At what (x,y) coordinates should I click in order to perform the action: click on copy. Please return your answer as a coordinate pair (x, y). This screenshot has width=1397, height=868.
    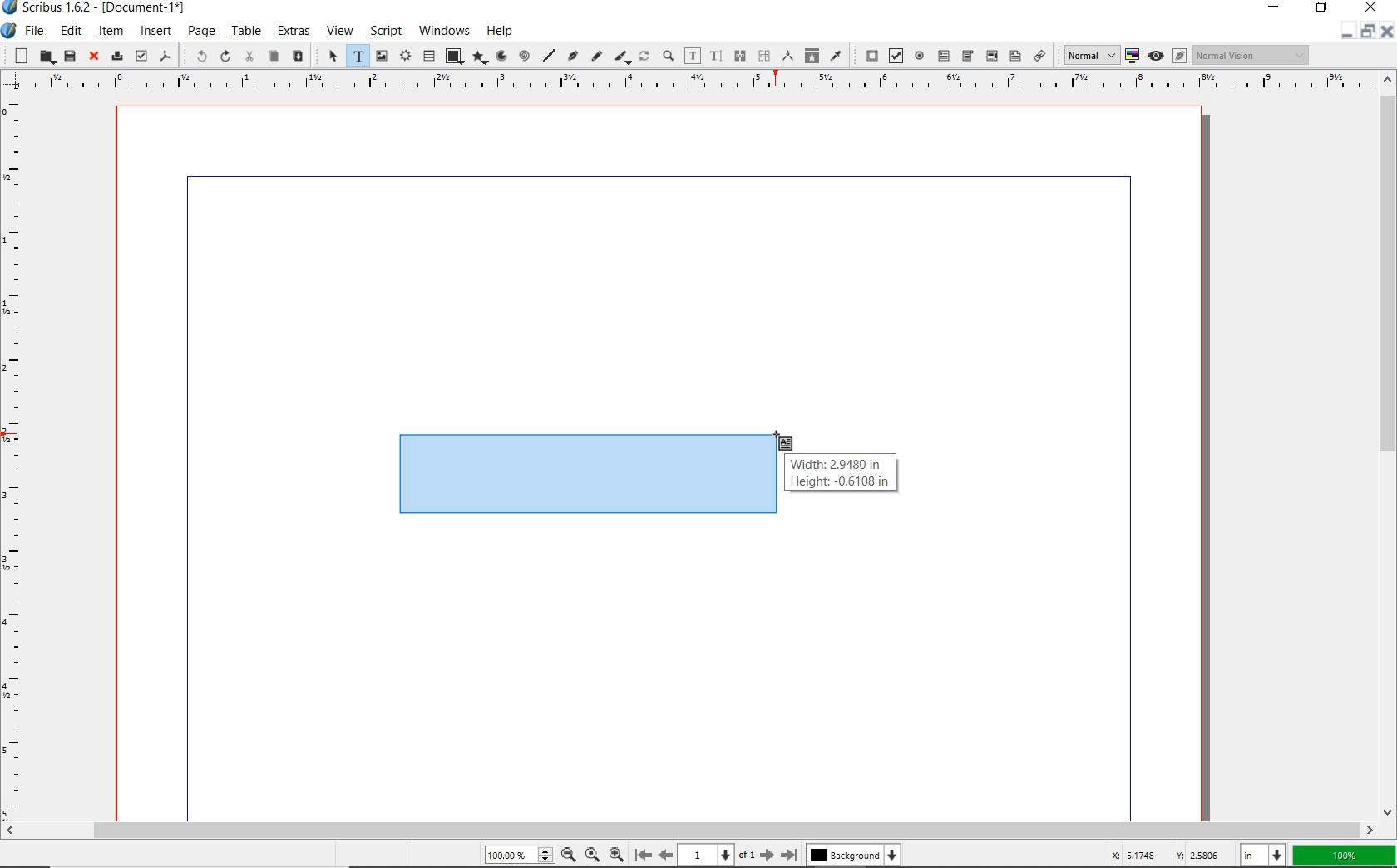
    Looking at the image, I should click on (273, 57).